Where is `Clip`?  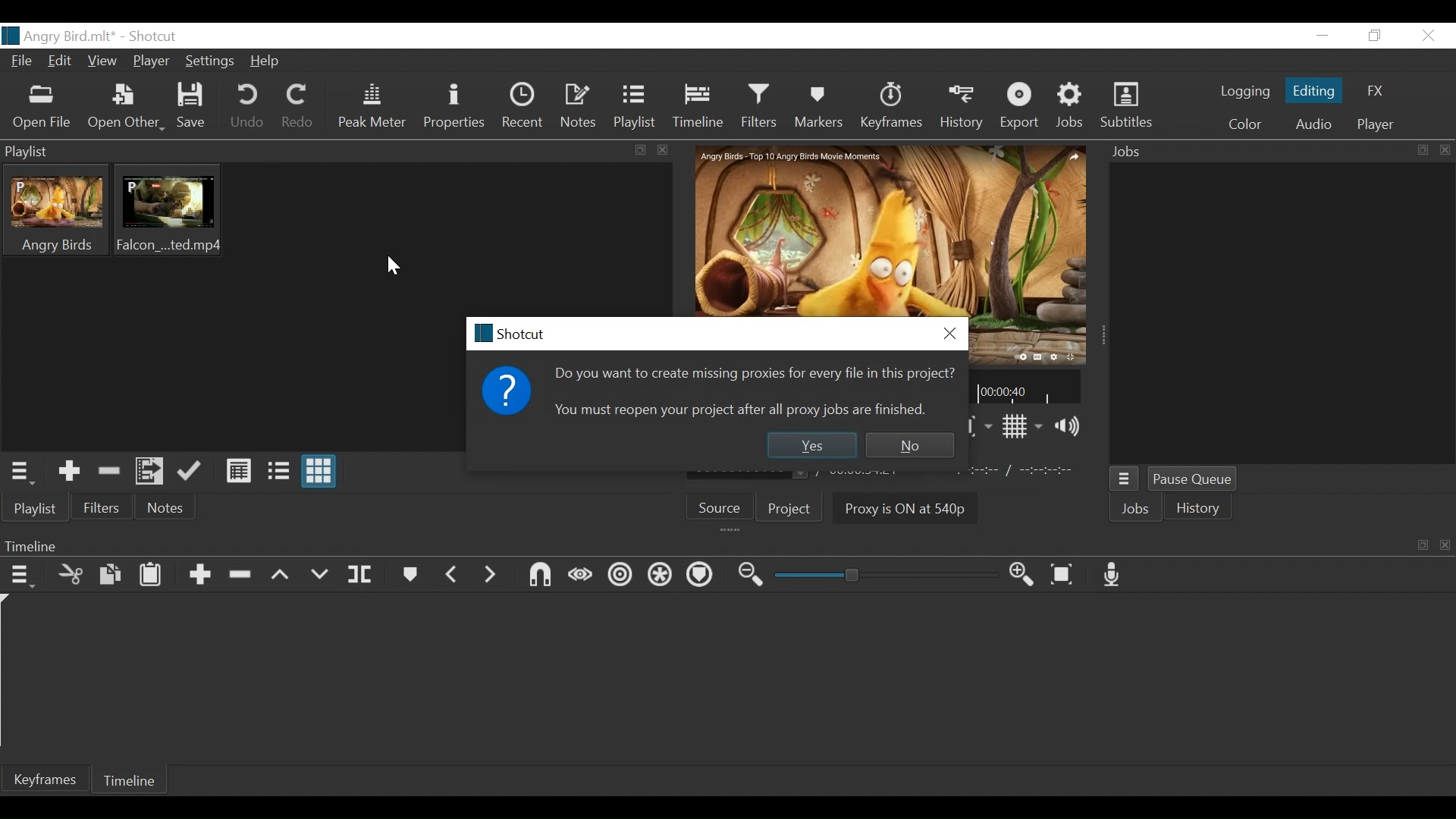 Clip is located at coordinates (168, 211).